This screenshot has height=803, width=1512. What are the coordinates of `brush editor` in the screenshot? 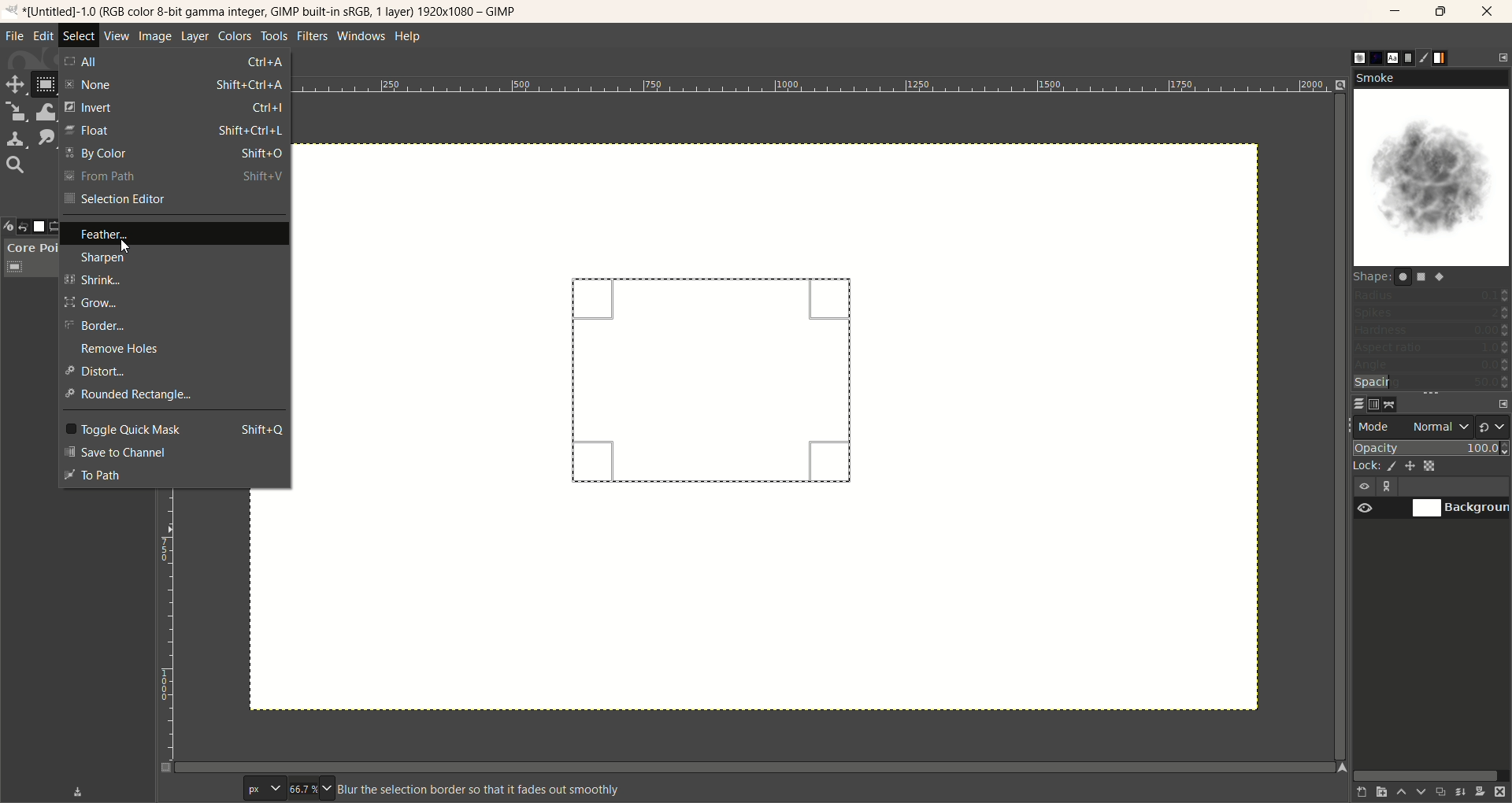 It's located at (1425, 57).